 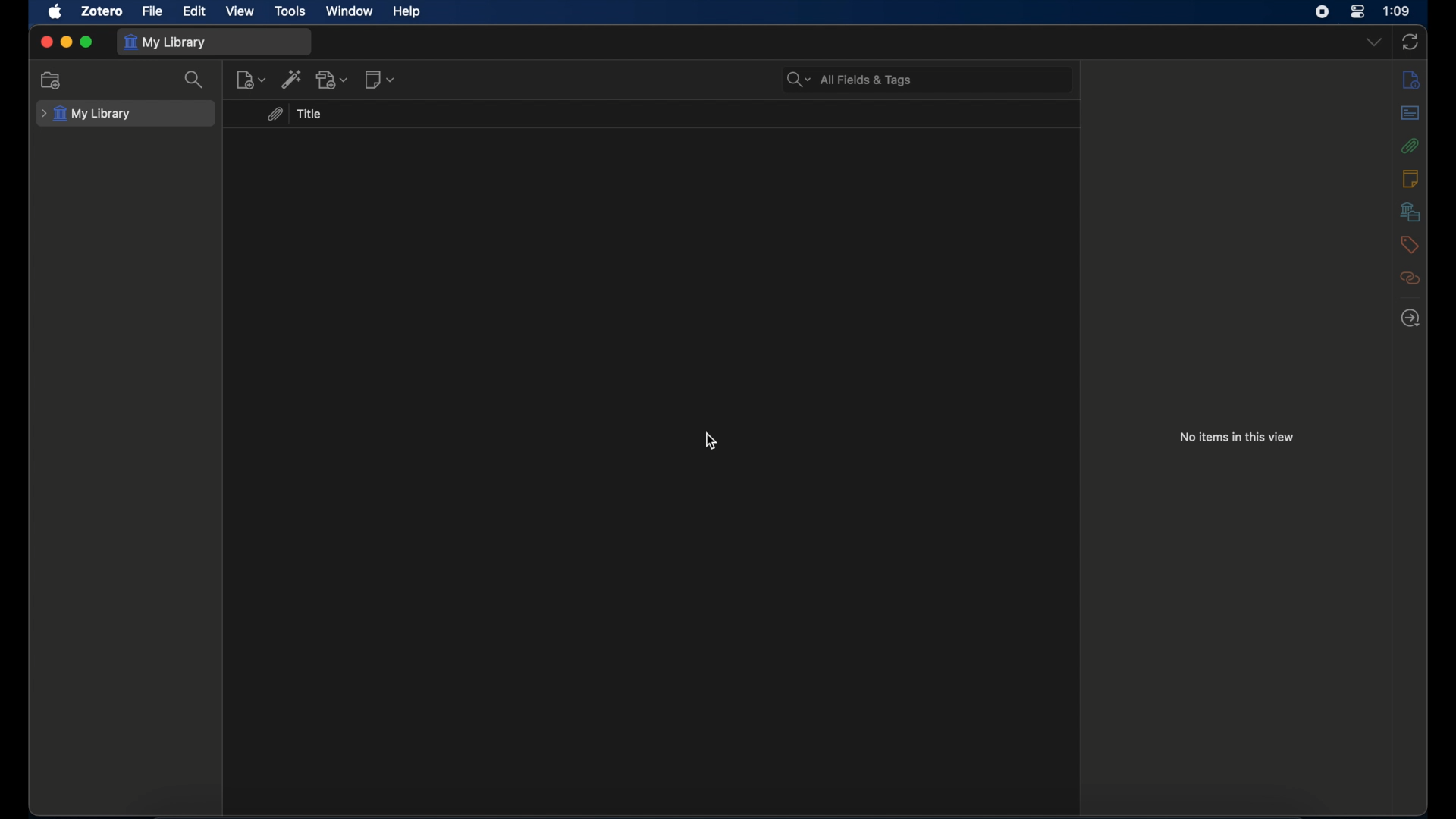 What do you see at coordinates (86, 113) in the screenshot?
I see `my library` at bounding box center [86, 113].